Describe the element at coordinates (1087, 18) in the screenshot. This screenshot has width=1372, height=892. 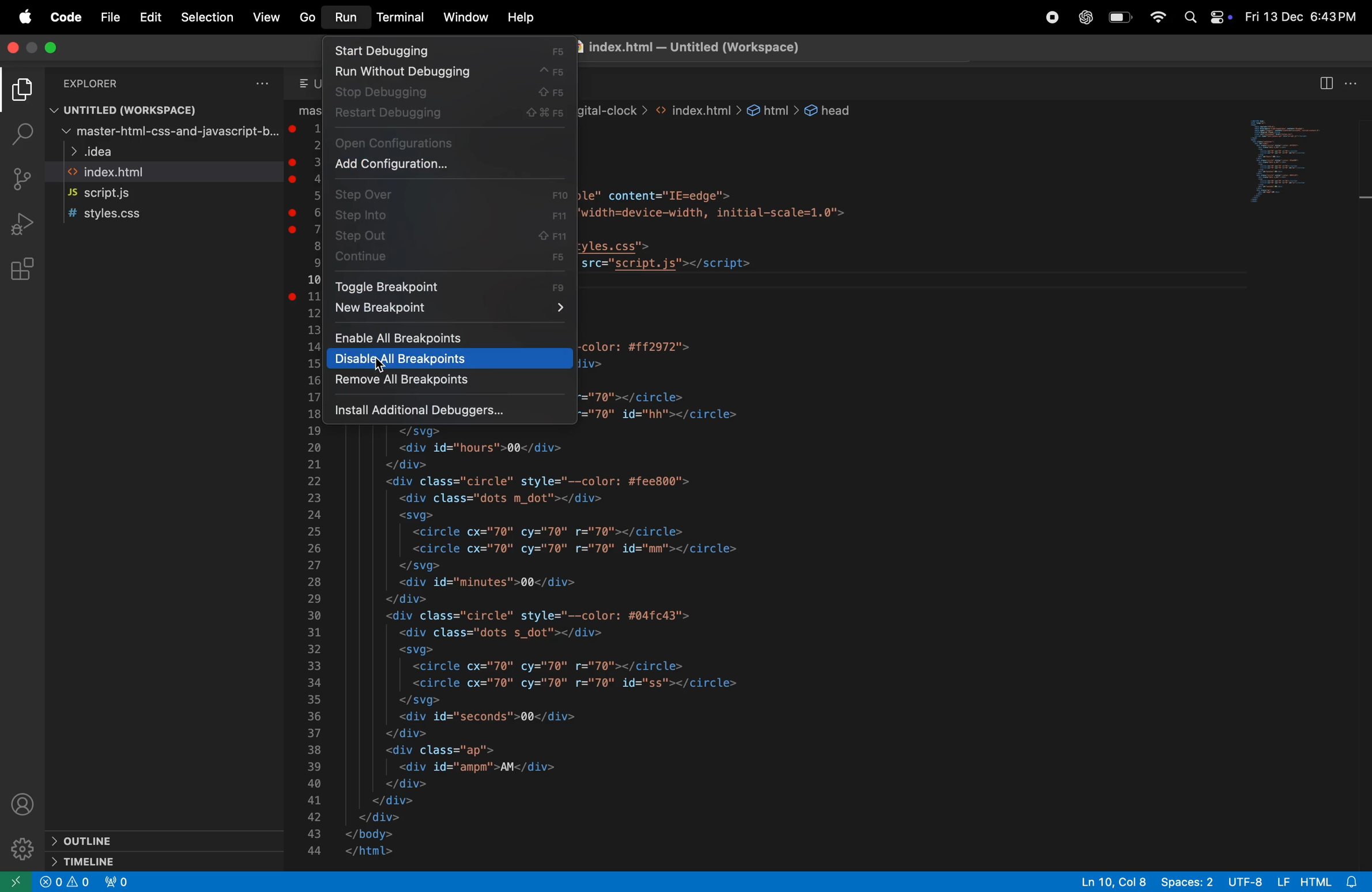
I see `chatgpt` at that location.